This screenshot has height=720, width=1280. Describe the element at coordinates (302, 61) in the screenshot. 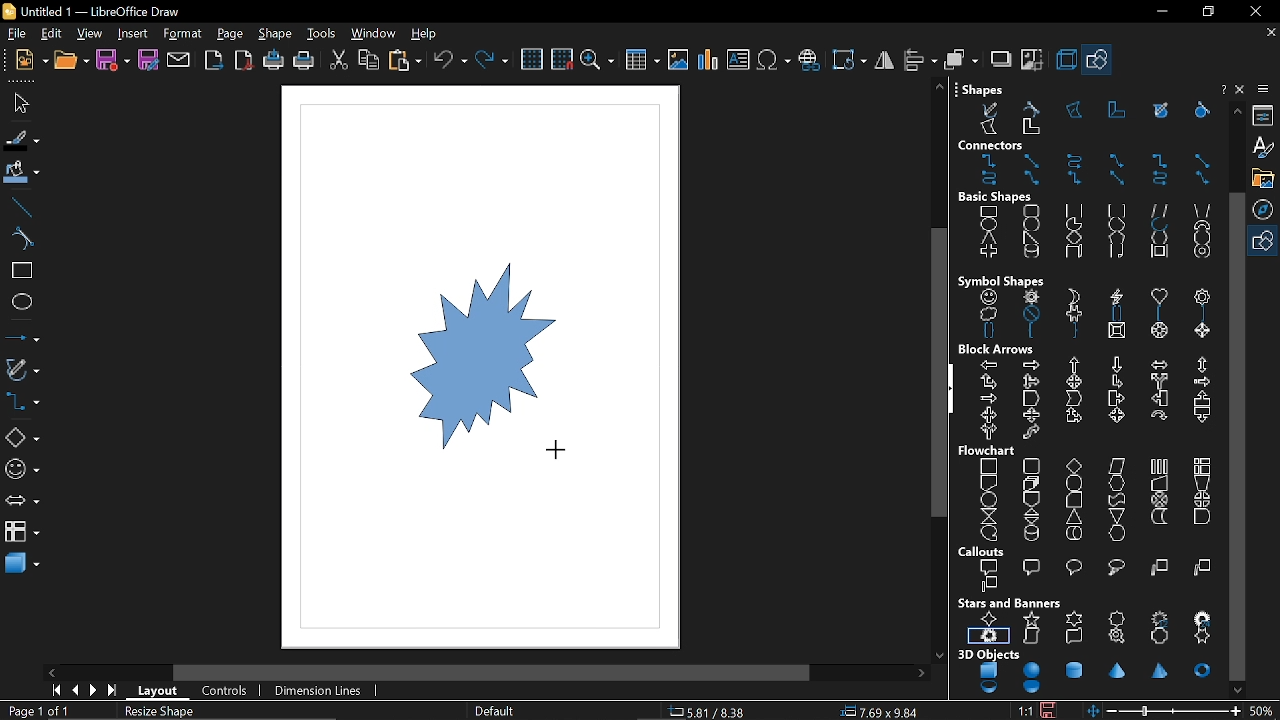

I see `print` at that location.